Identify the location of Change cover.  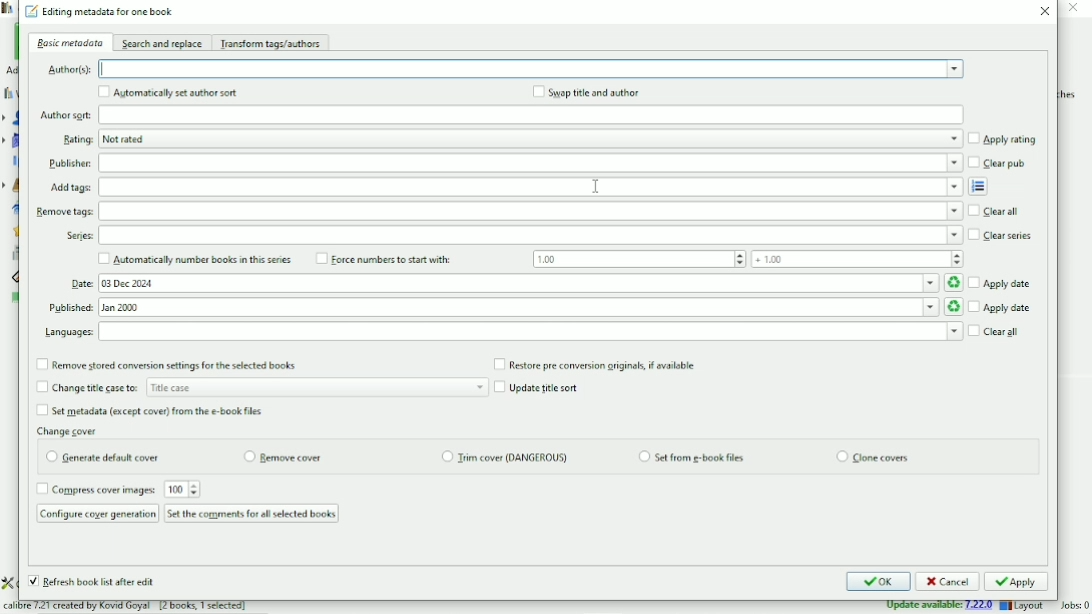
(70, 430).